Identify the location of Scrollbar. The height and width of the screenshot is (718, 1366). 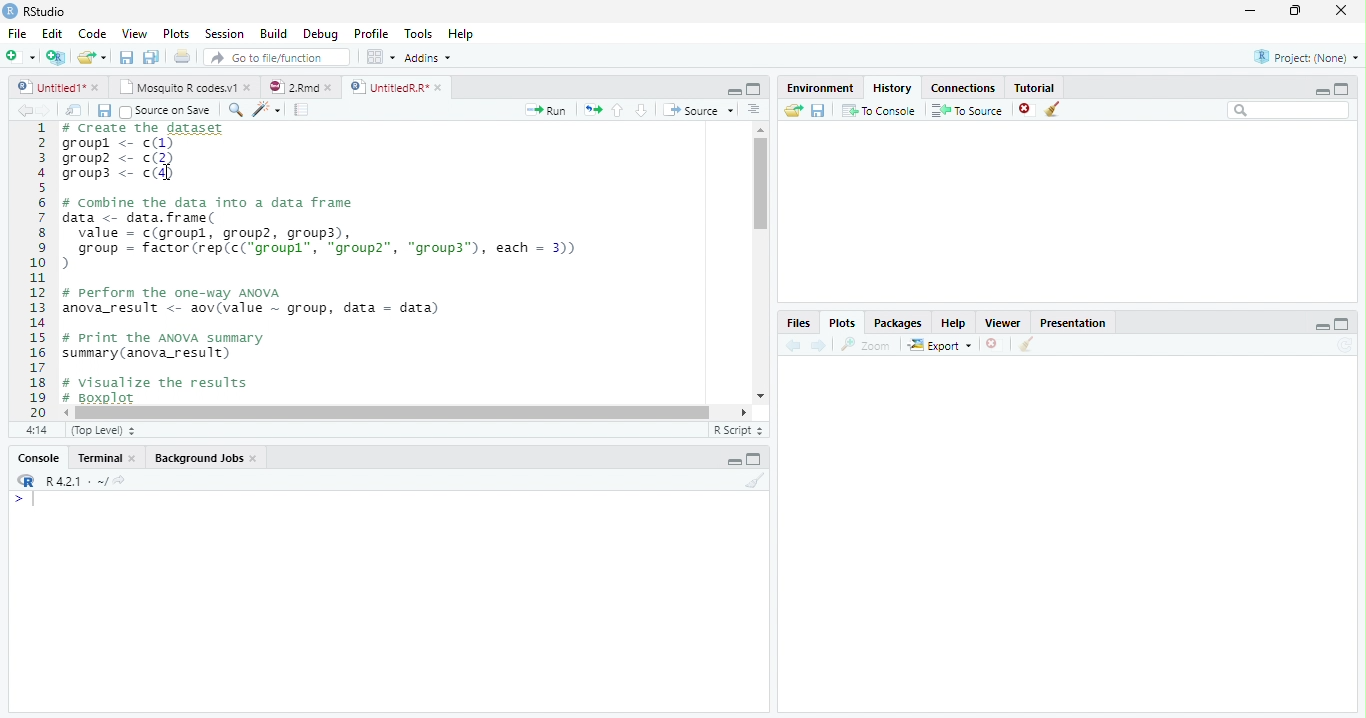
(408, 411).